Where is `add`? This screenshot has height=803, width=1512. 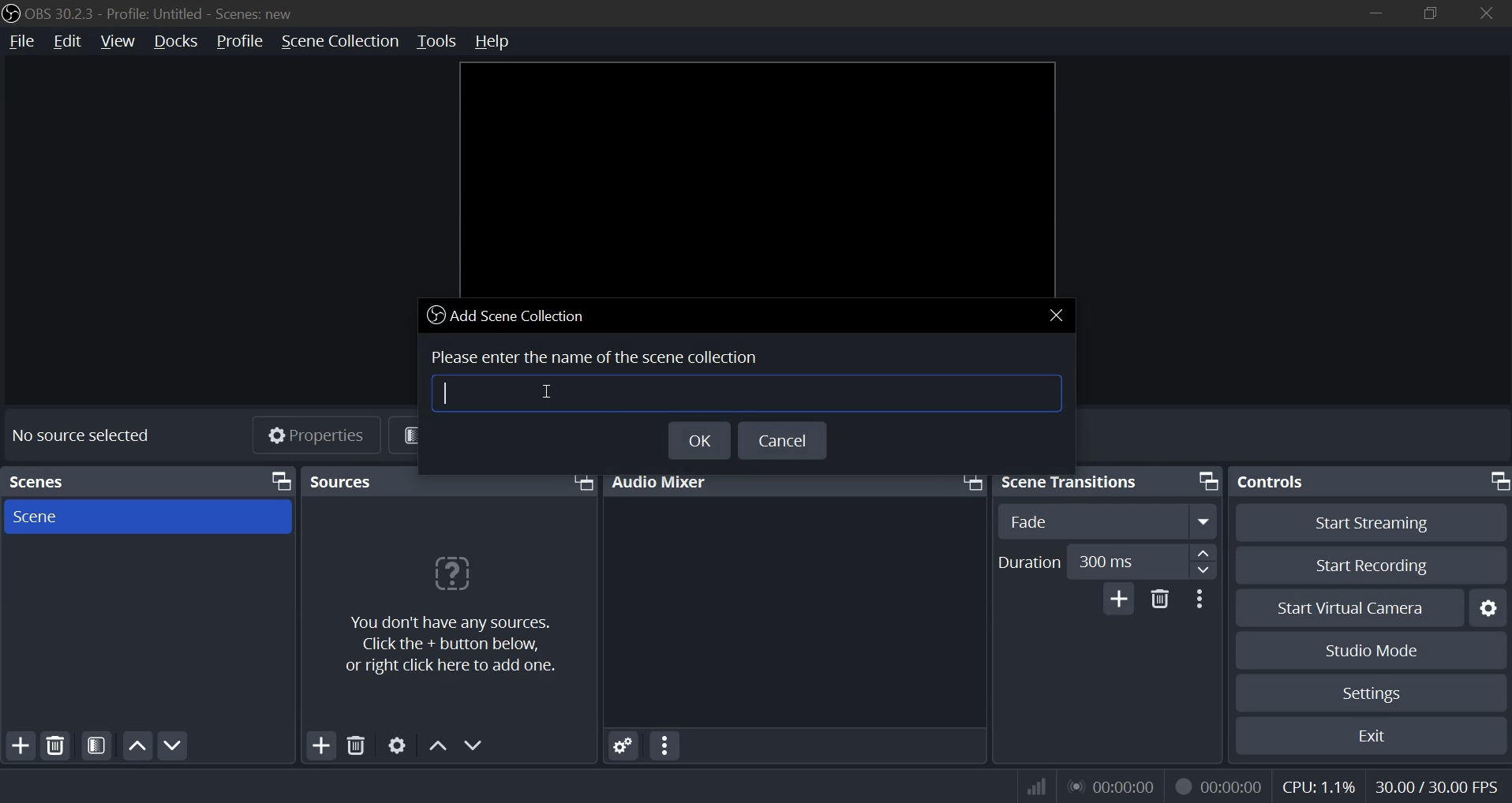 add is located at coordinates (23, 744).